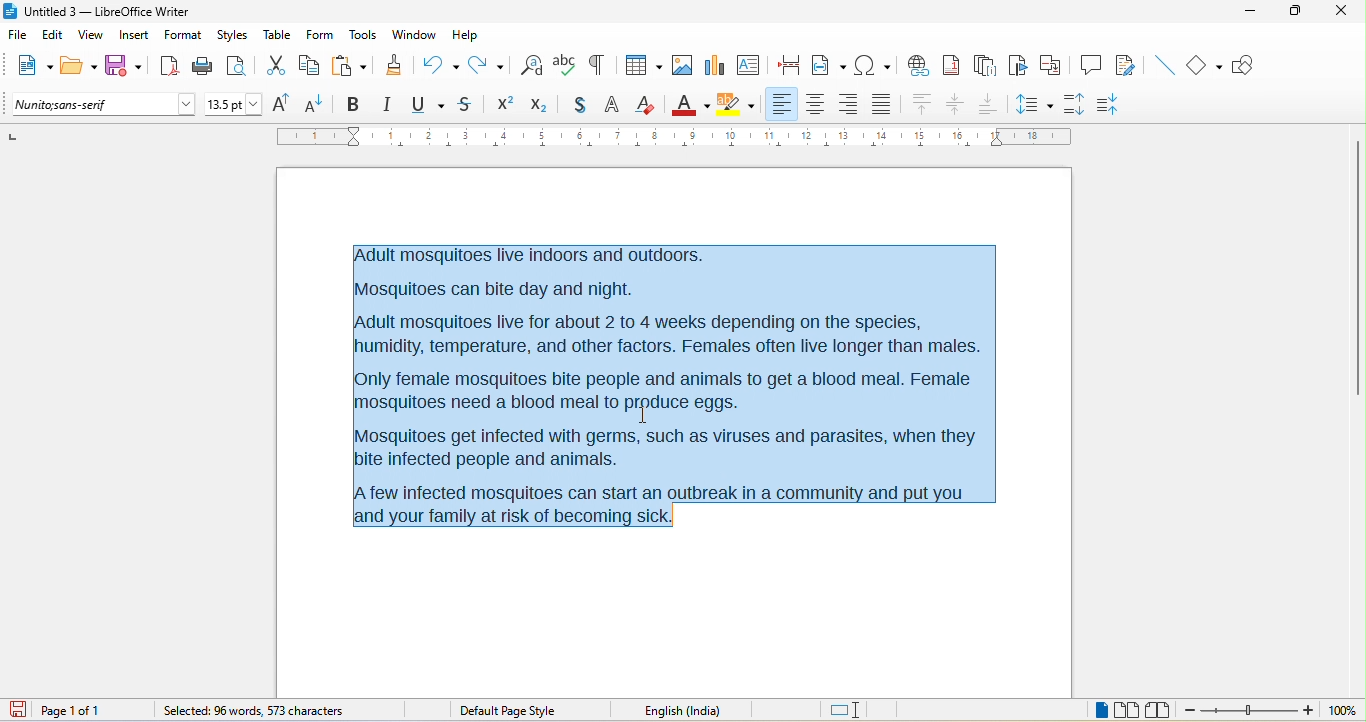 This screenshot has height=722, width=1366. Describe the element at coordinates (489, 64) in the screenshot. I see `redo` at that location.